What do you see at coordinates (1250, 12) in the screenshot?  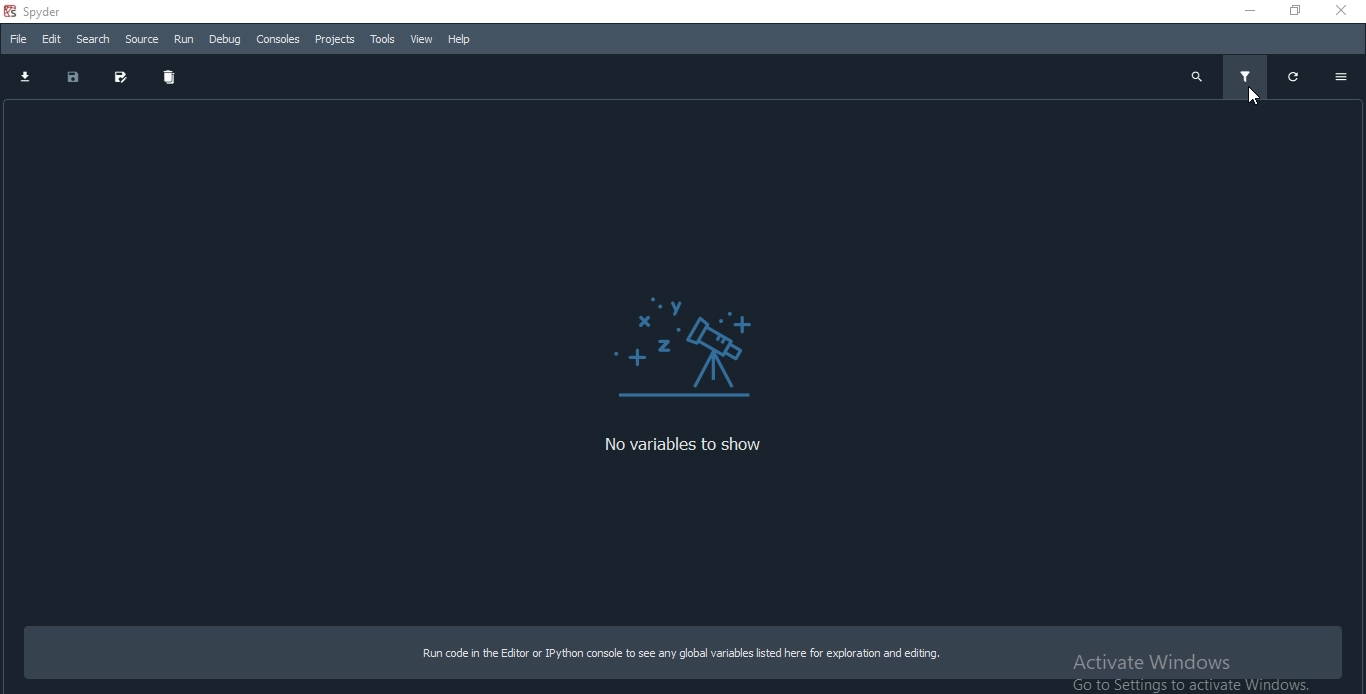 I see `Minimise` at bounding box center [1250, 12].